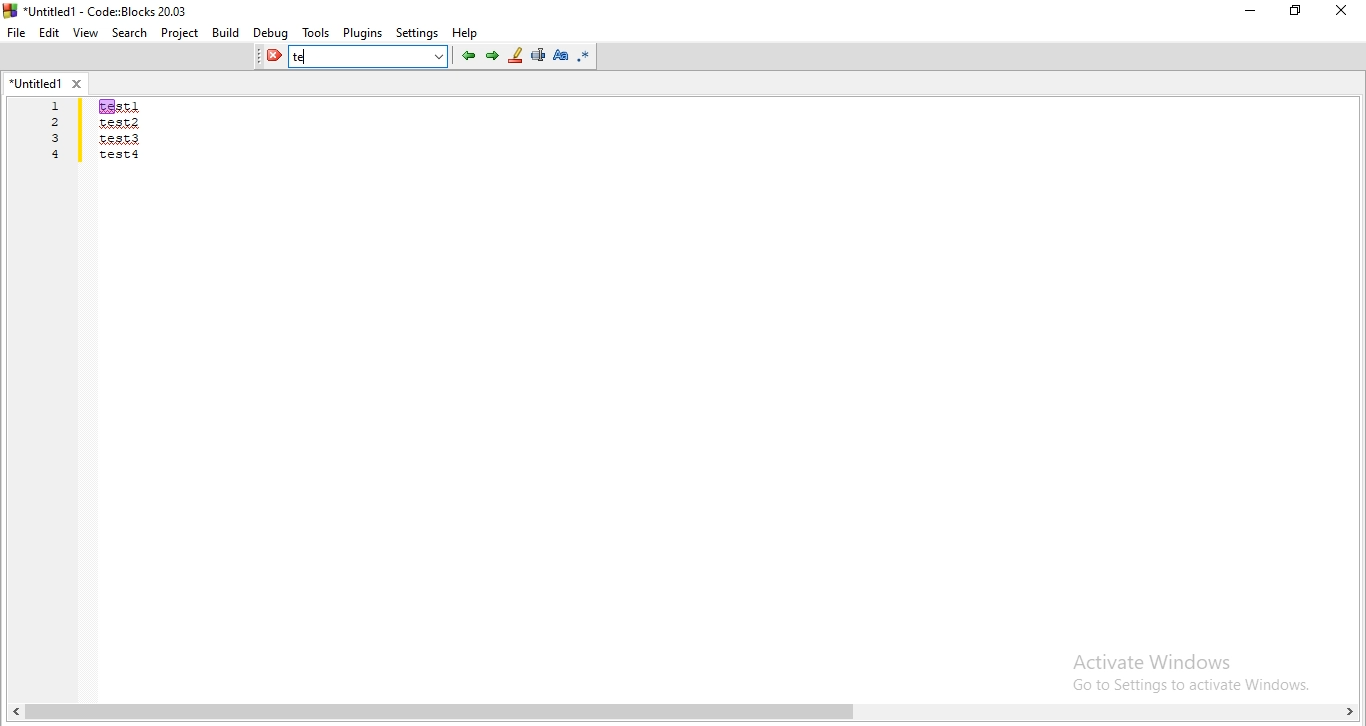 Image resolution: width=1366 pixels, height=726 pixels. I want to click on Plugins, so click(362, 33).